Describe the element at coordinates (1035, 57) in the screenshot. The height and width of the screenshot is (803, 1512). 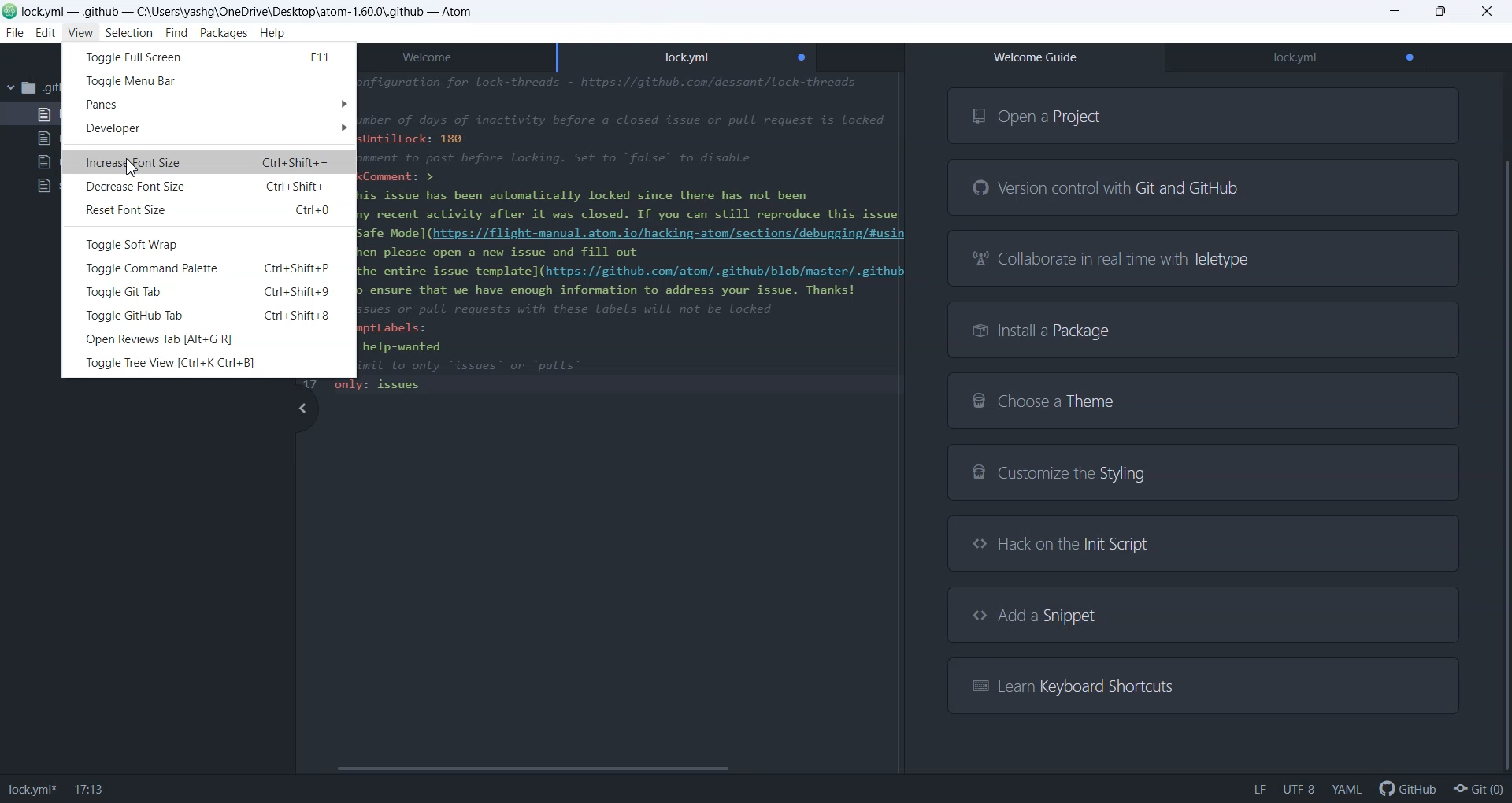
I see `Welcome guide` at that location.